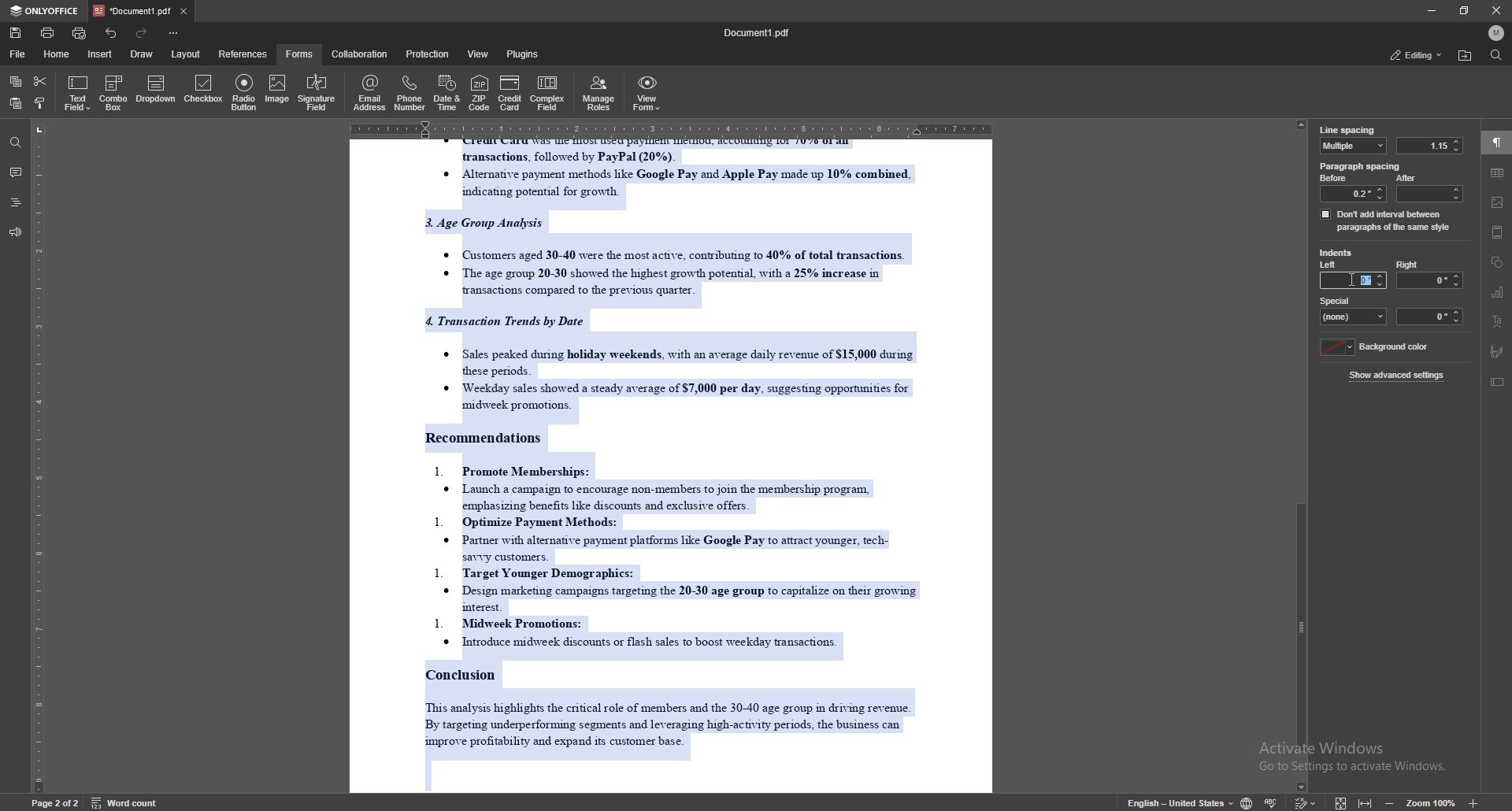  Describe the element at coordinates (1336, 254) in the screenshot. I see `indents` at that location.